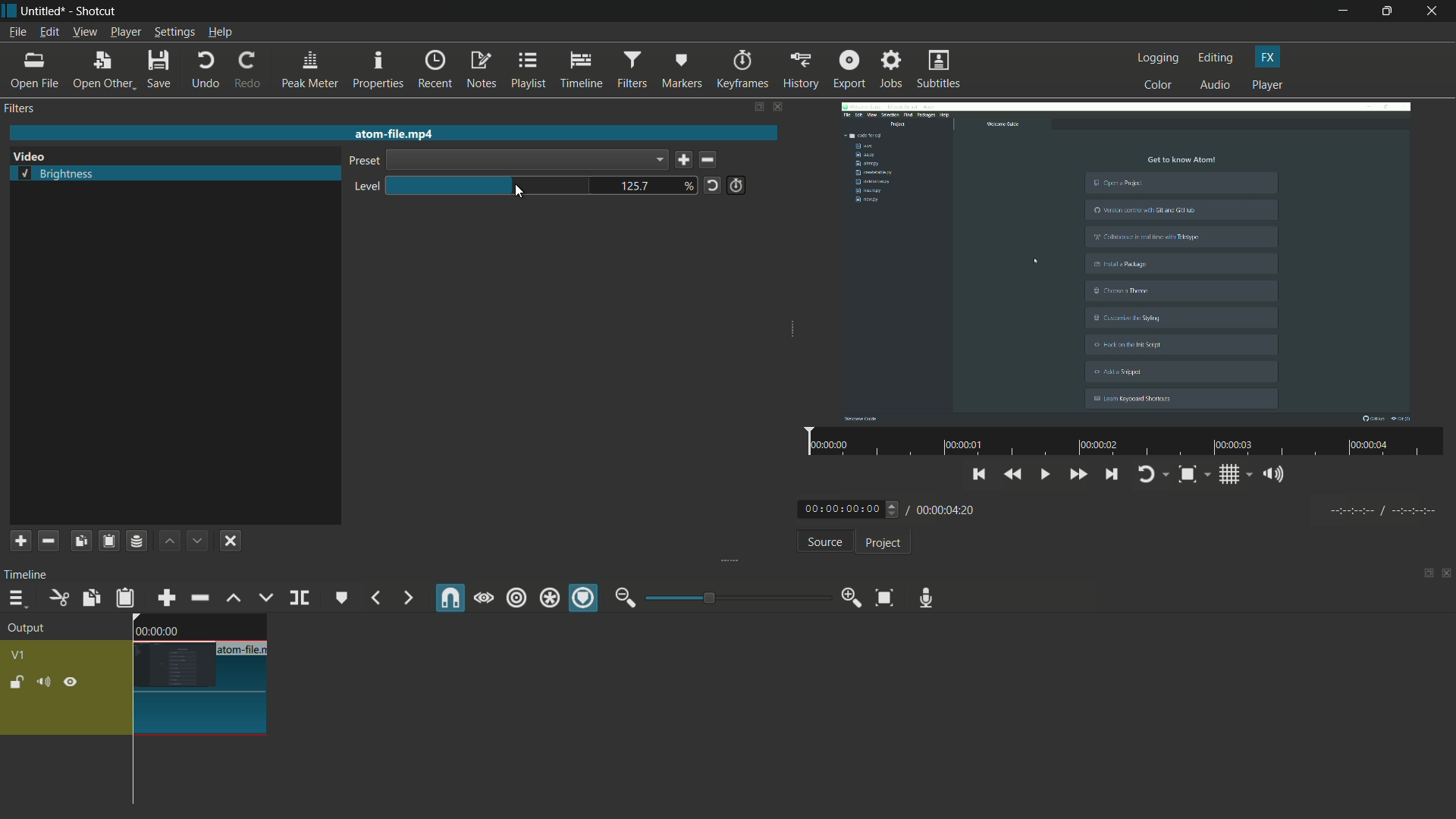  I want to click on snap, so click(451, 598).